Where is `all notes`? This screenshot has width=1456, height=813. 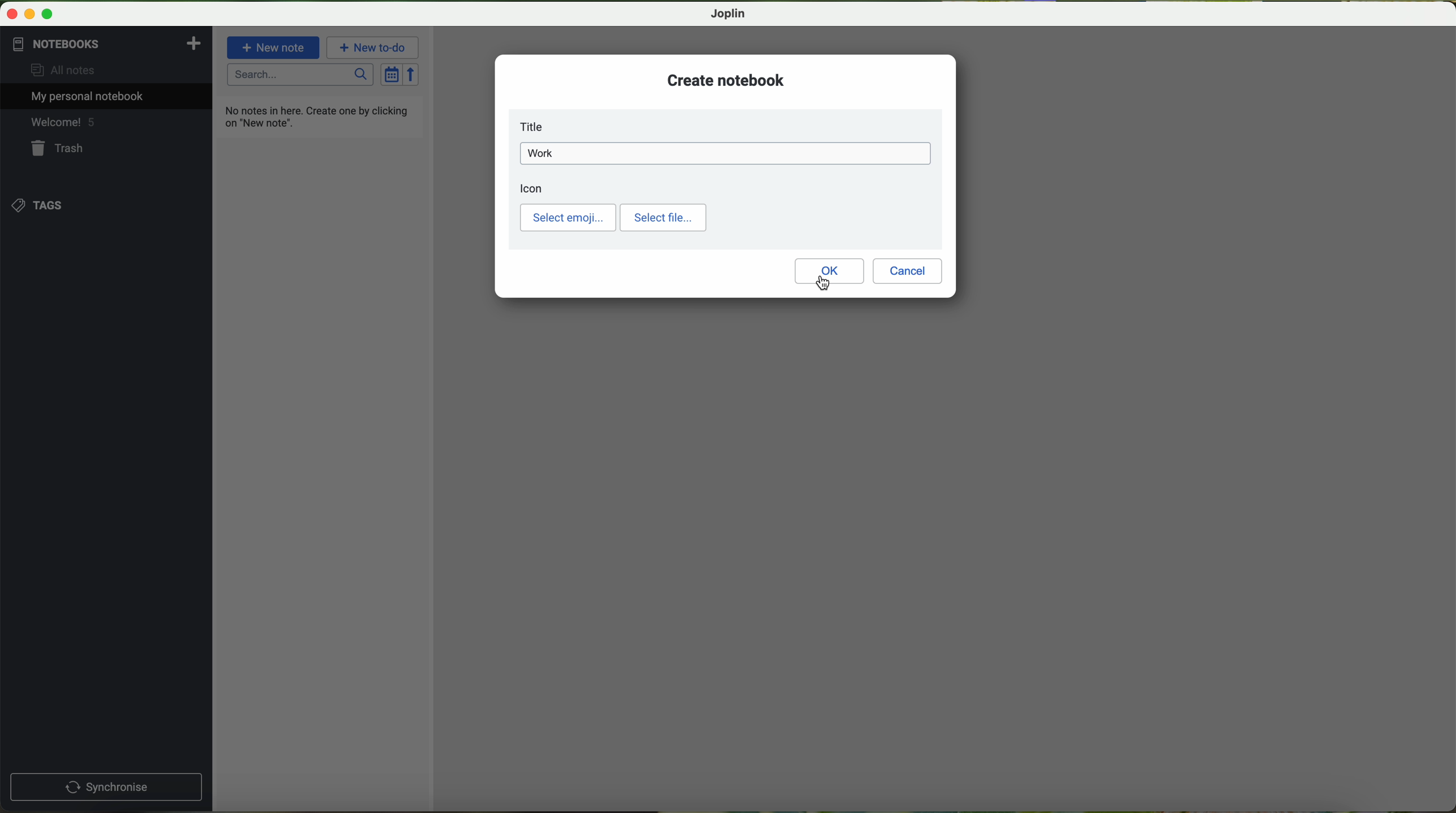
all notes is located at coordinates (58, 71).